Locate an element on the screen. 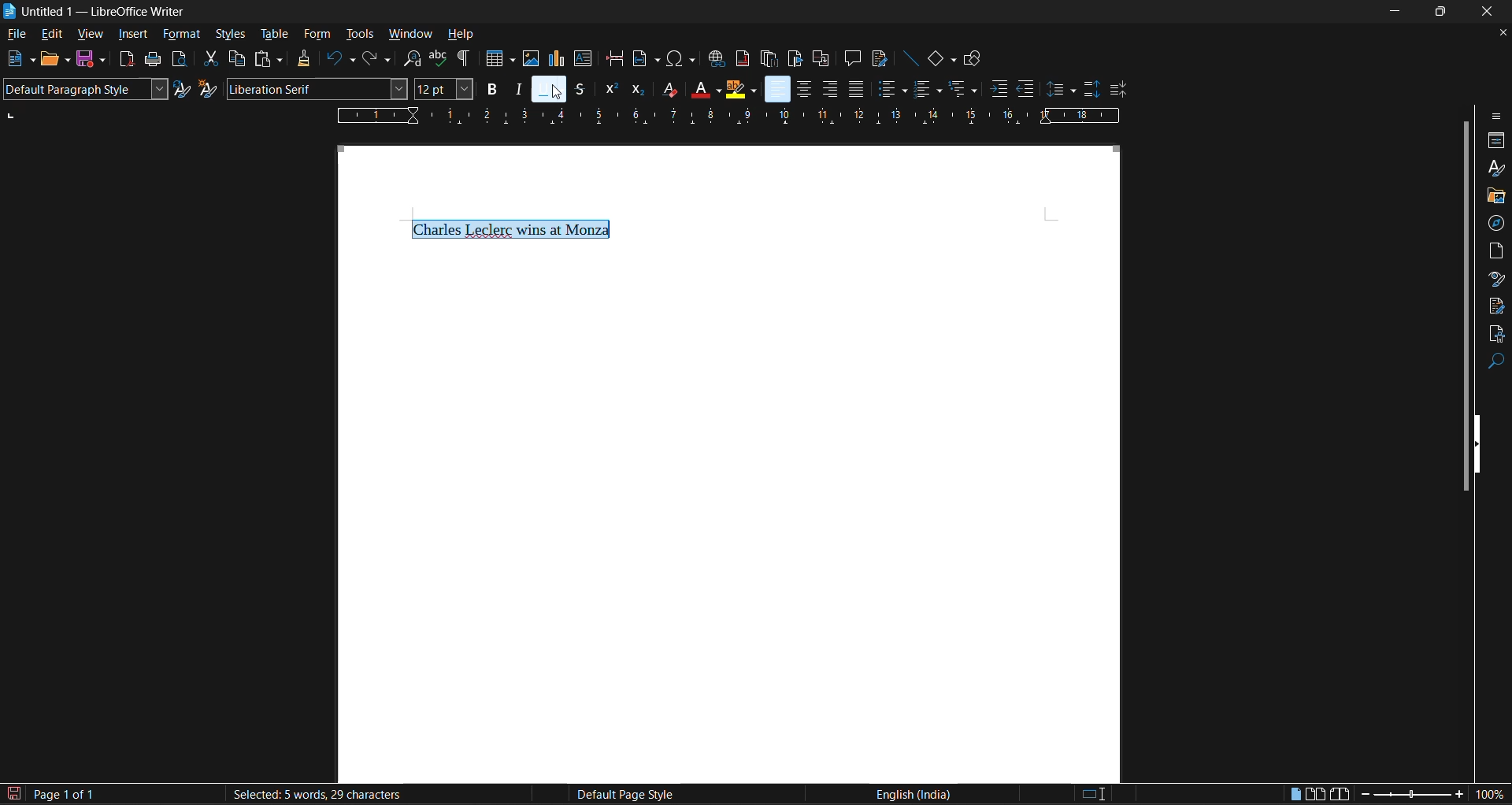 This screenshot has height=805, width=1512. zoom factor is located at coordinates (1492, 793).